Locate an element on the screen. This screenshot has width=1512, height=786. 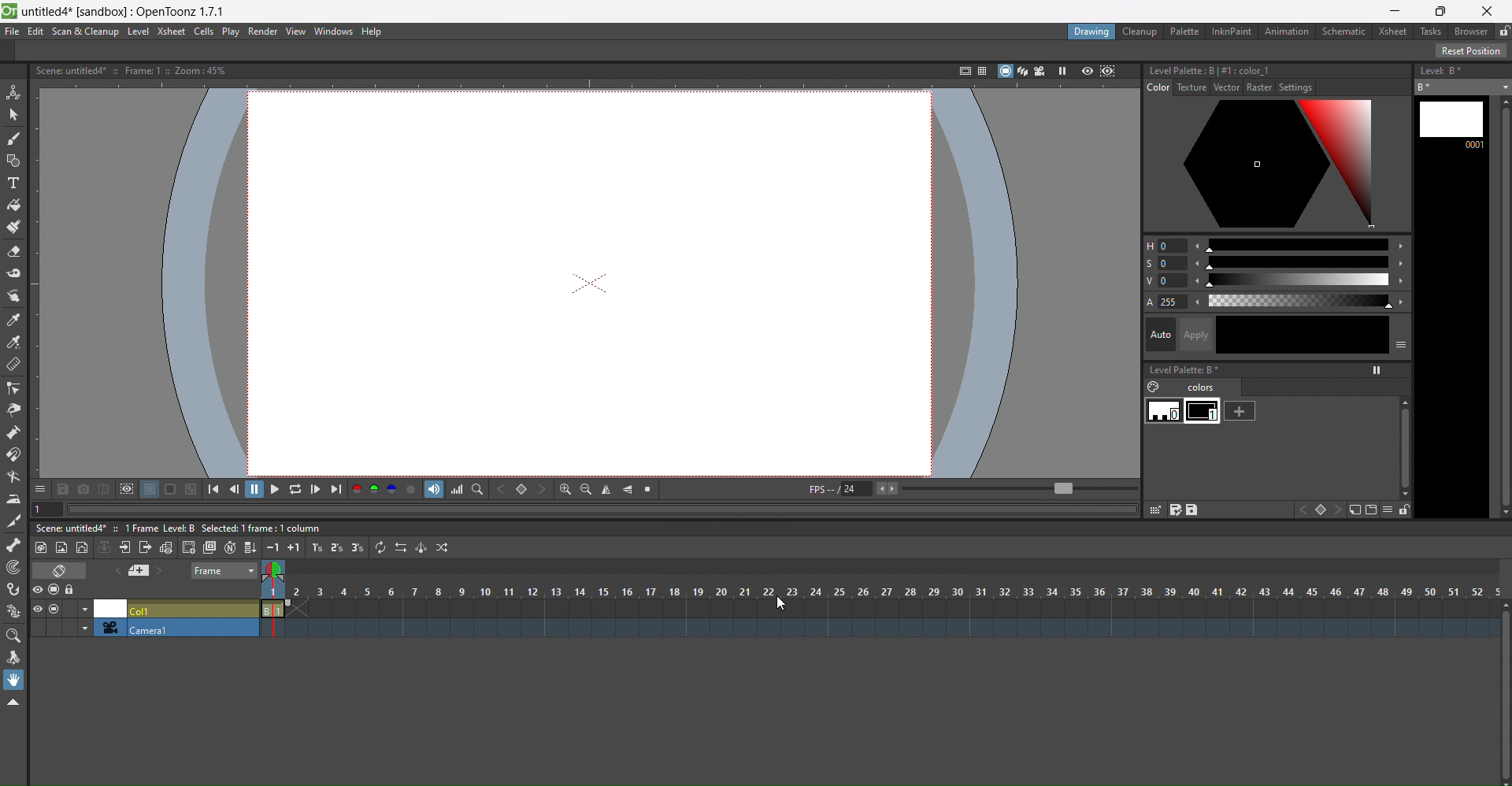
0 is located at coordinates (1174, 246).